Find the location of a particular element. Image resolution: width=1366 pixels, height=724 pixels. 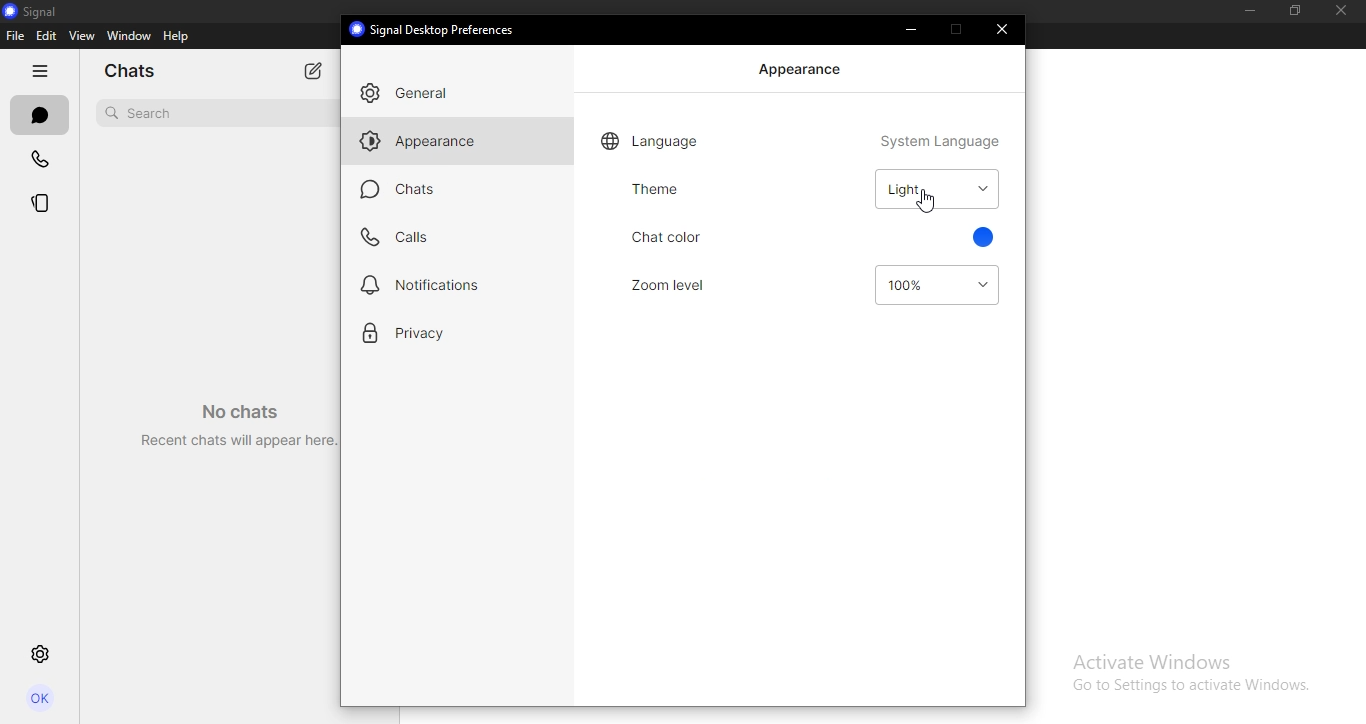

cursor is located at coordinates (926, 201).